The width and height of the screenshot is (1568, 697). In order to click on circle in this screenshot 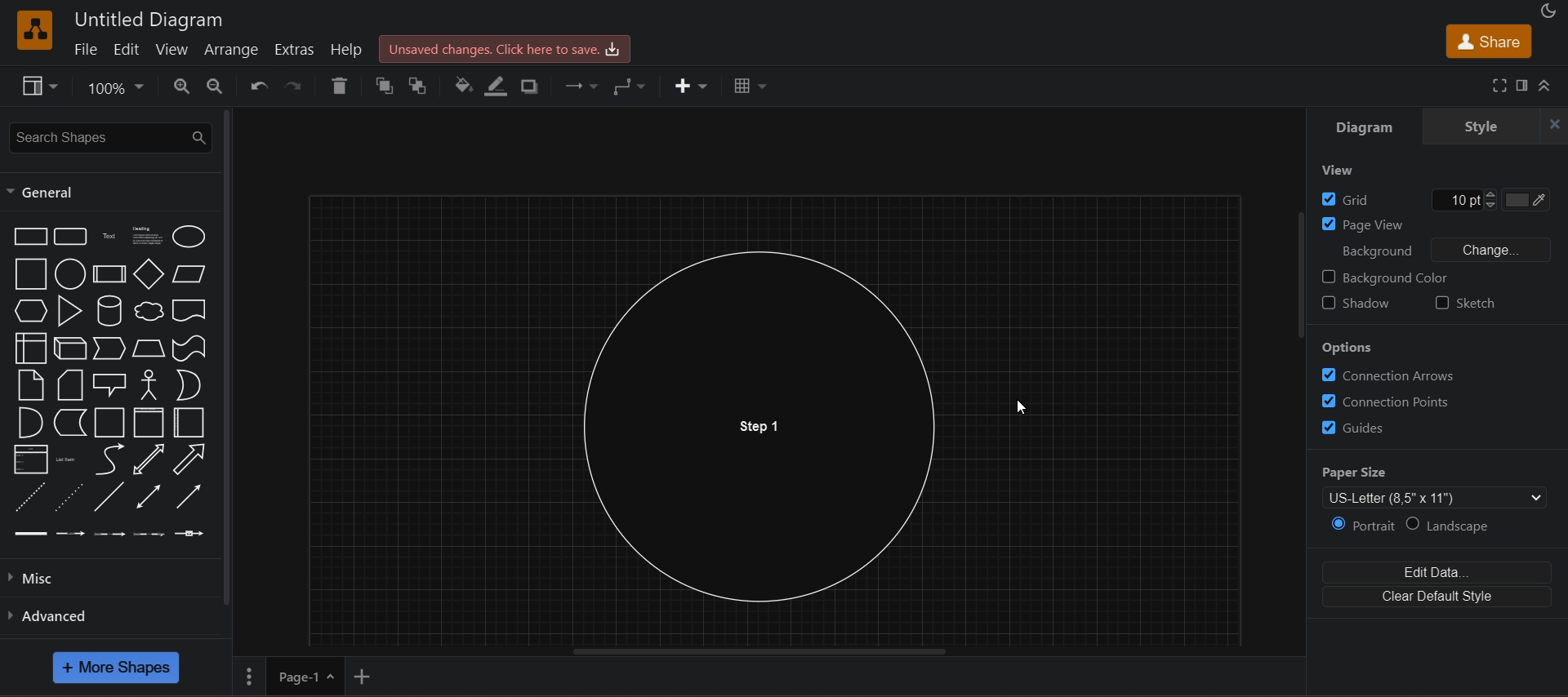, I will do `click(70, 275)`.